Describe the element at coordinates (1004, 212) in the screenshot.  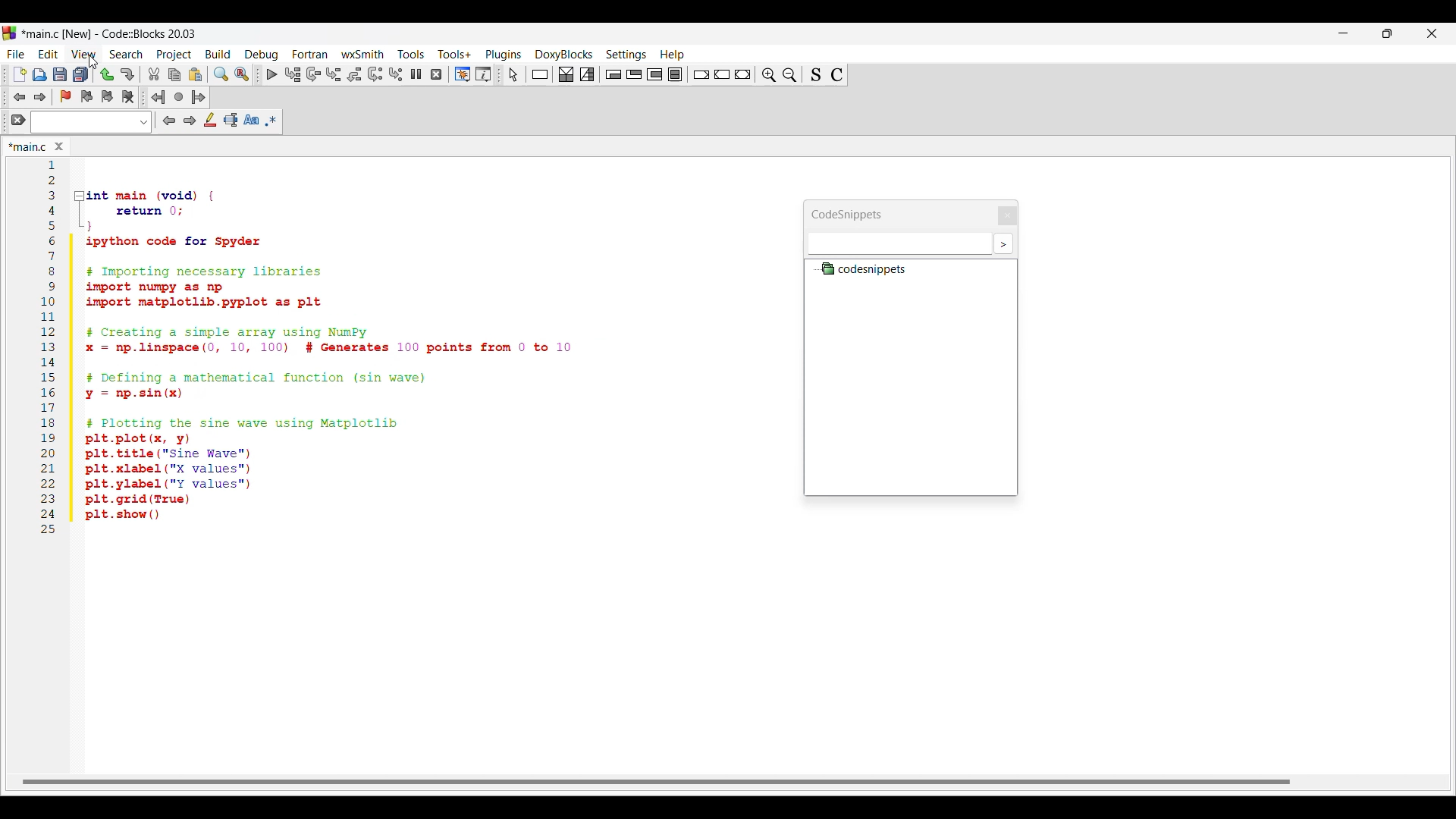
I see `Close` at that location.